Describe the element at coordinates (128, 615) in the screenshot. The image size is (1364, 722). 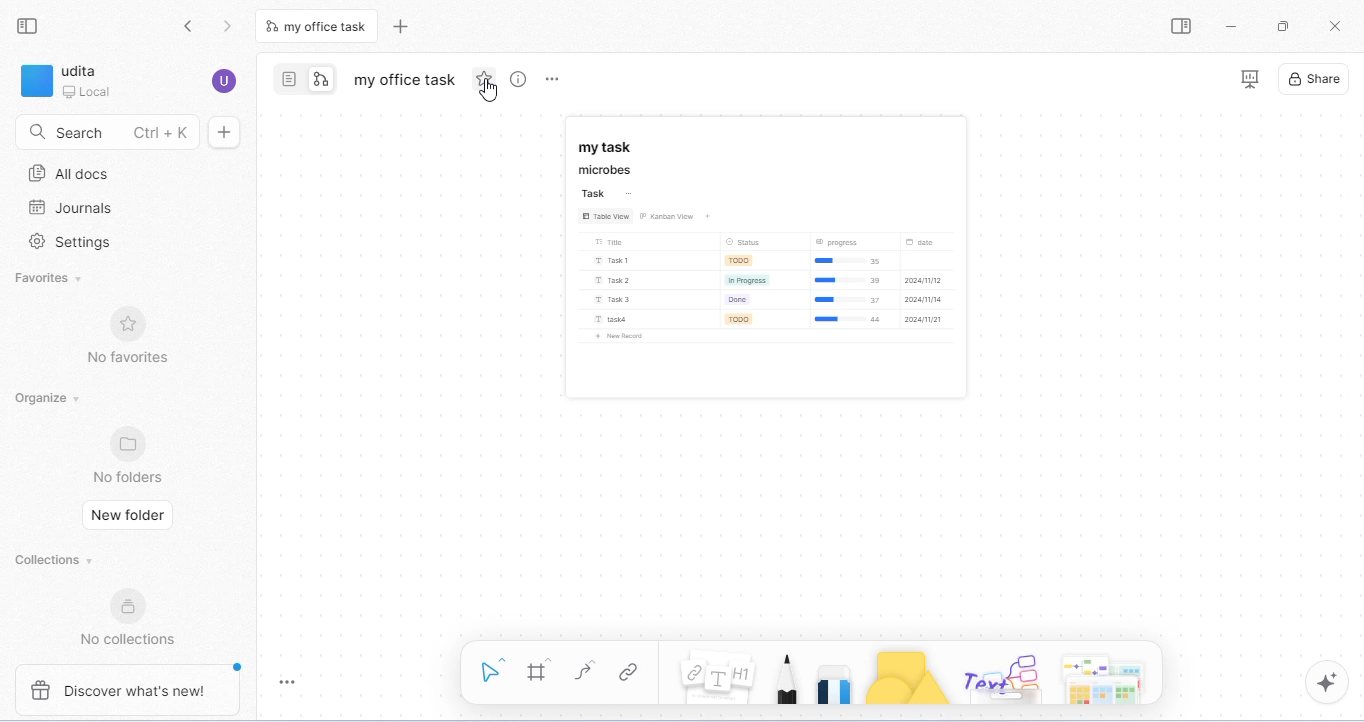
I see `no collections` at that location.